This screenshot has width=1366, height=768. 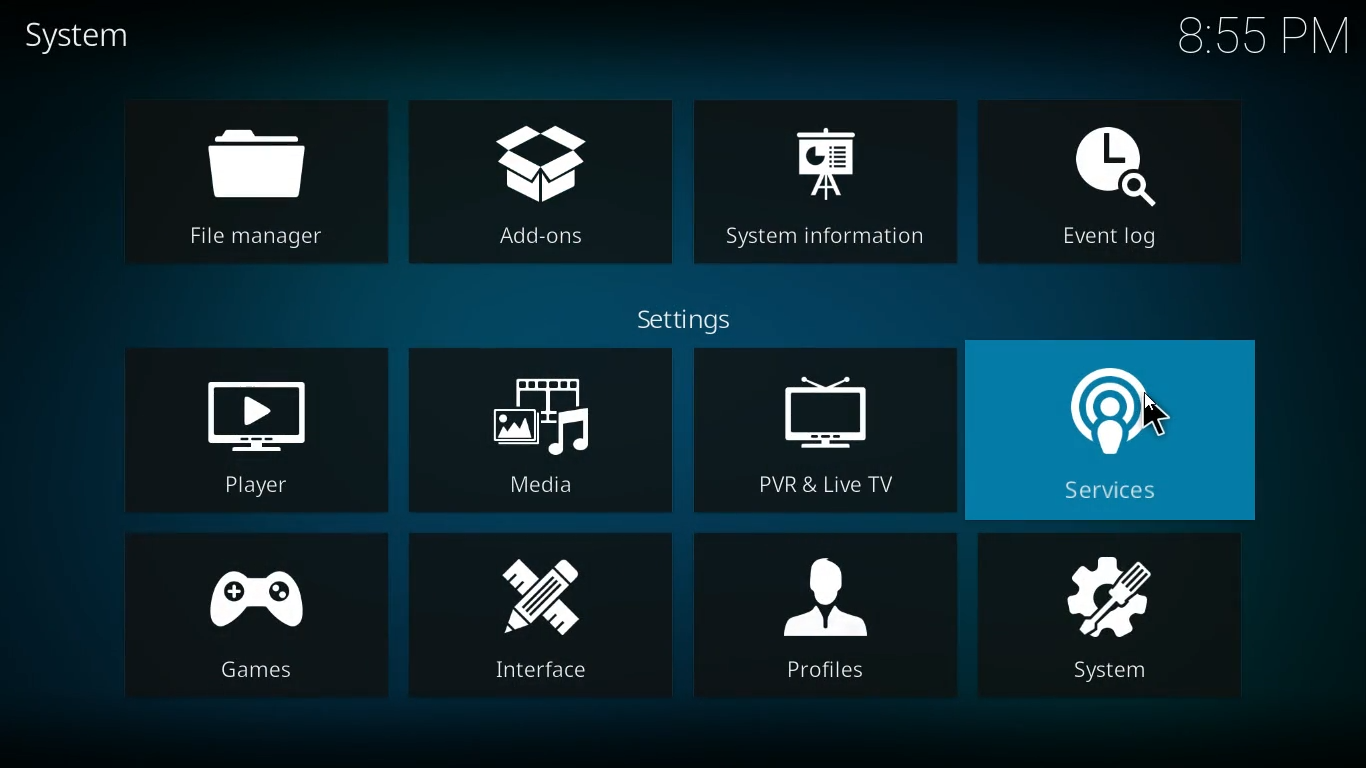 What do you see at coordinates (696, 320) in the screenshot?
I see `settings` at bounding box center [696, 320].